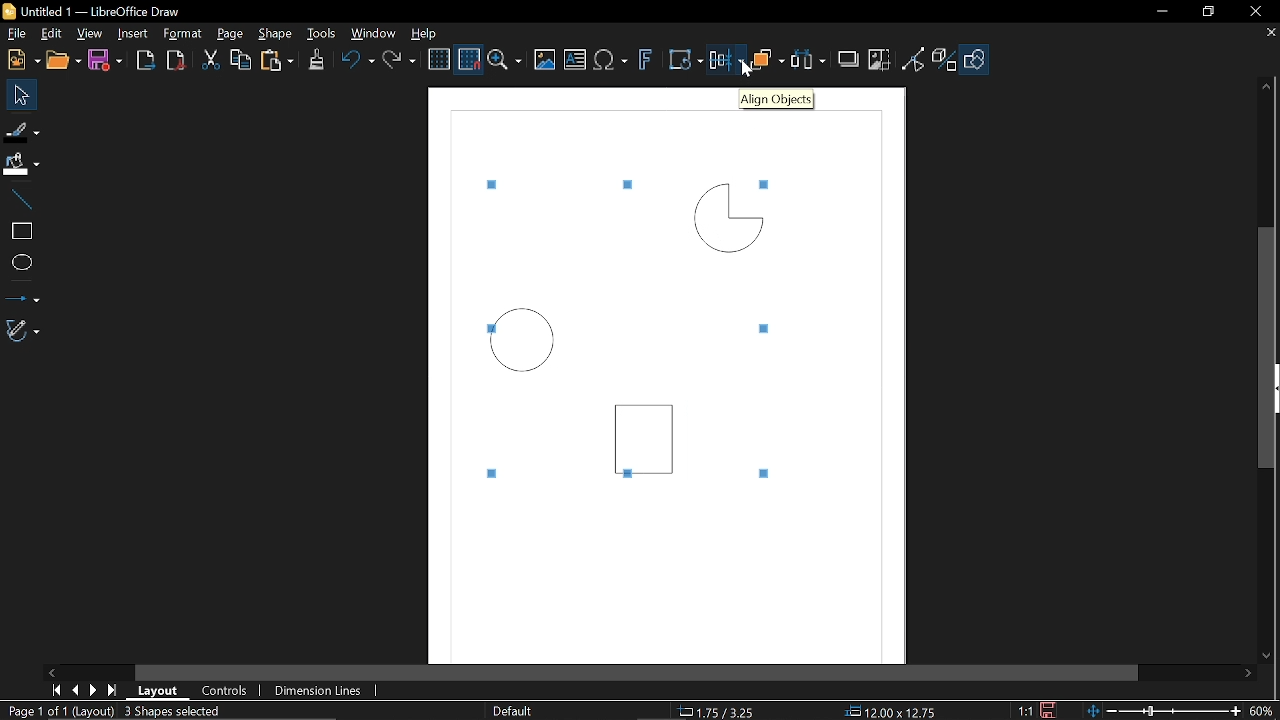 This screenshot has width=1280, height=720. Describe the element at coordinates (182, 34) in the screenshot. I see `Format` at that location.